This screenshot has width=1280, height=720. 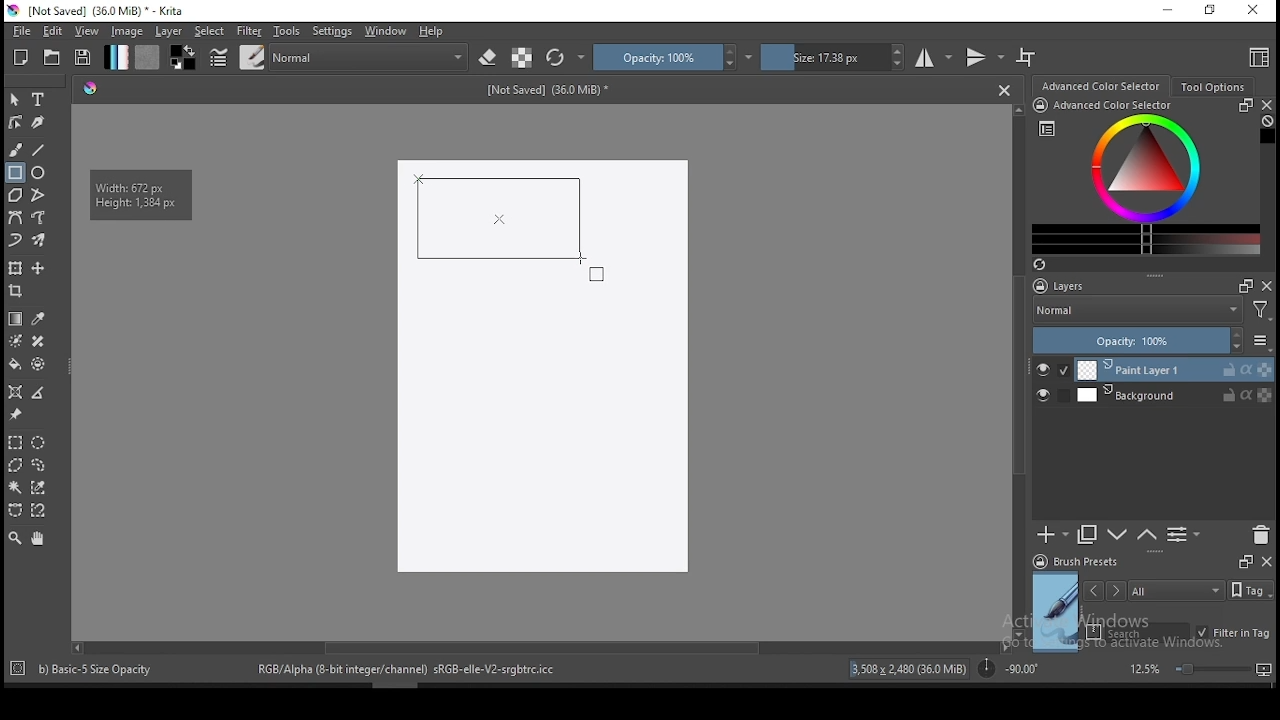 I want to click on layer, so click(x=1175, y=370).